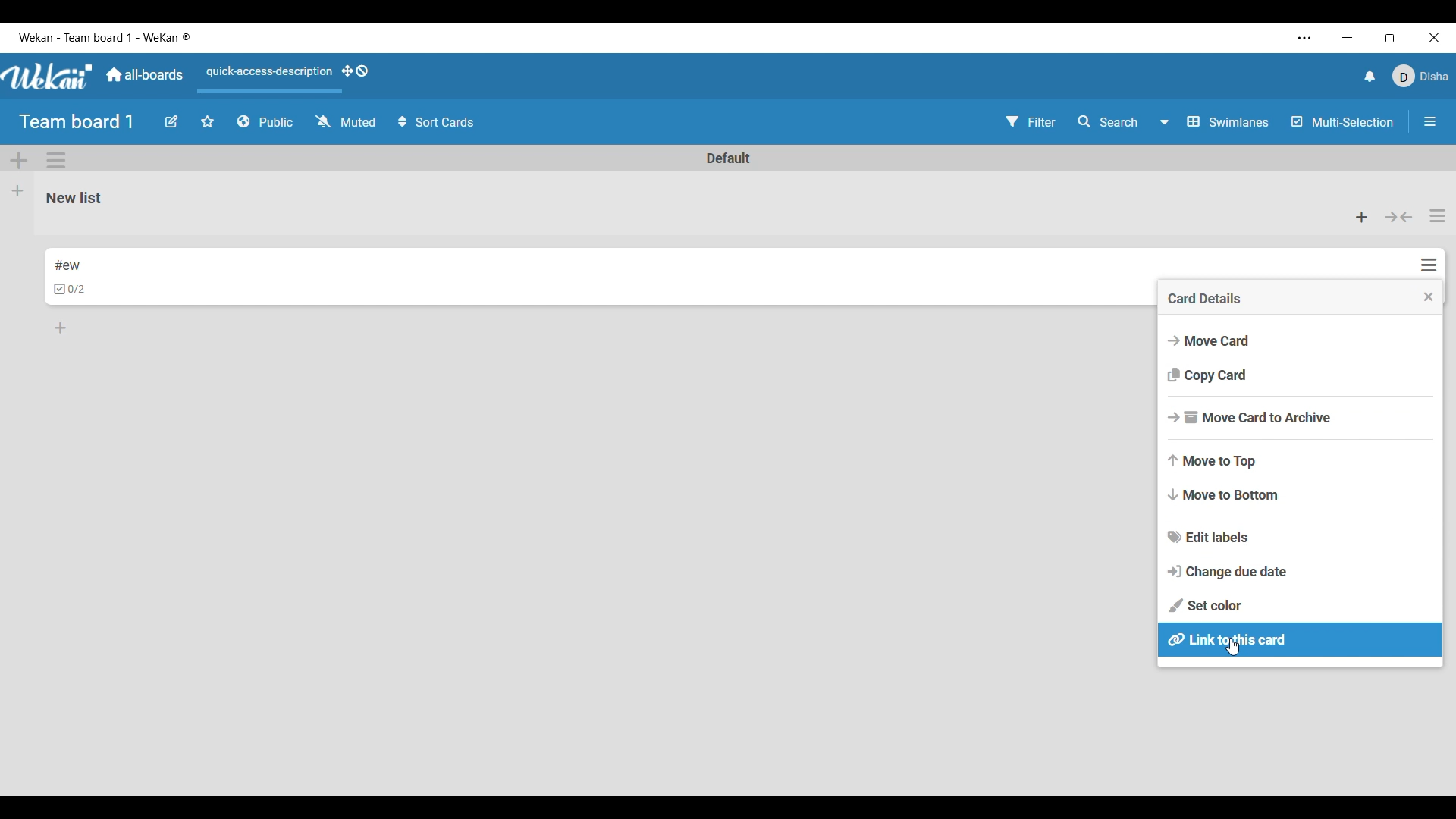  I want to click on Show interface in a smaller tab, so click(1391, 38).